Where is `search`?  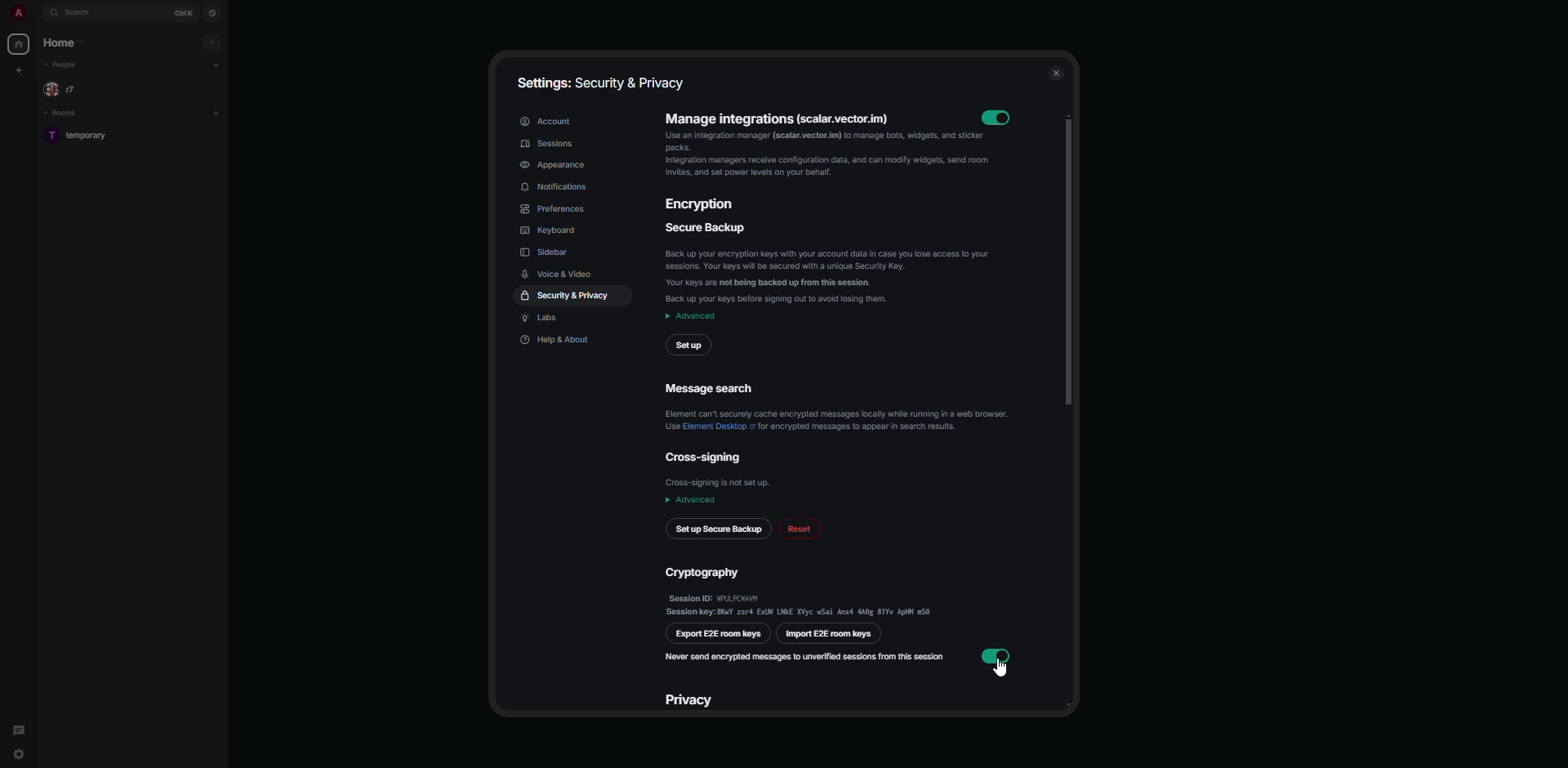 search is located at coordinates (82, 13).